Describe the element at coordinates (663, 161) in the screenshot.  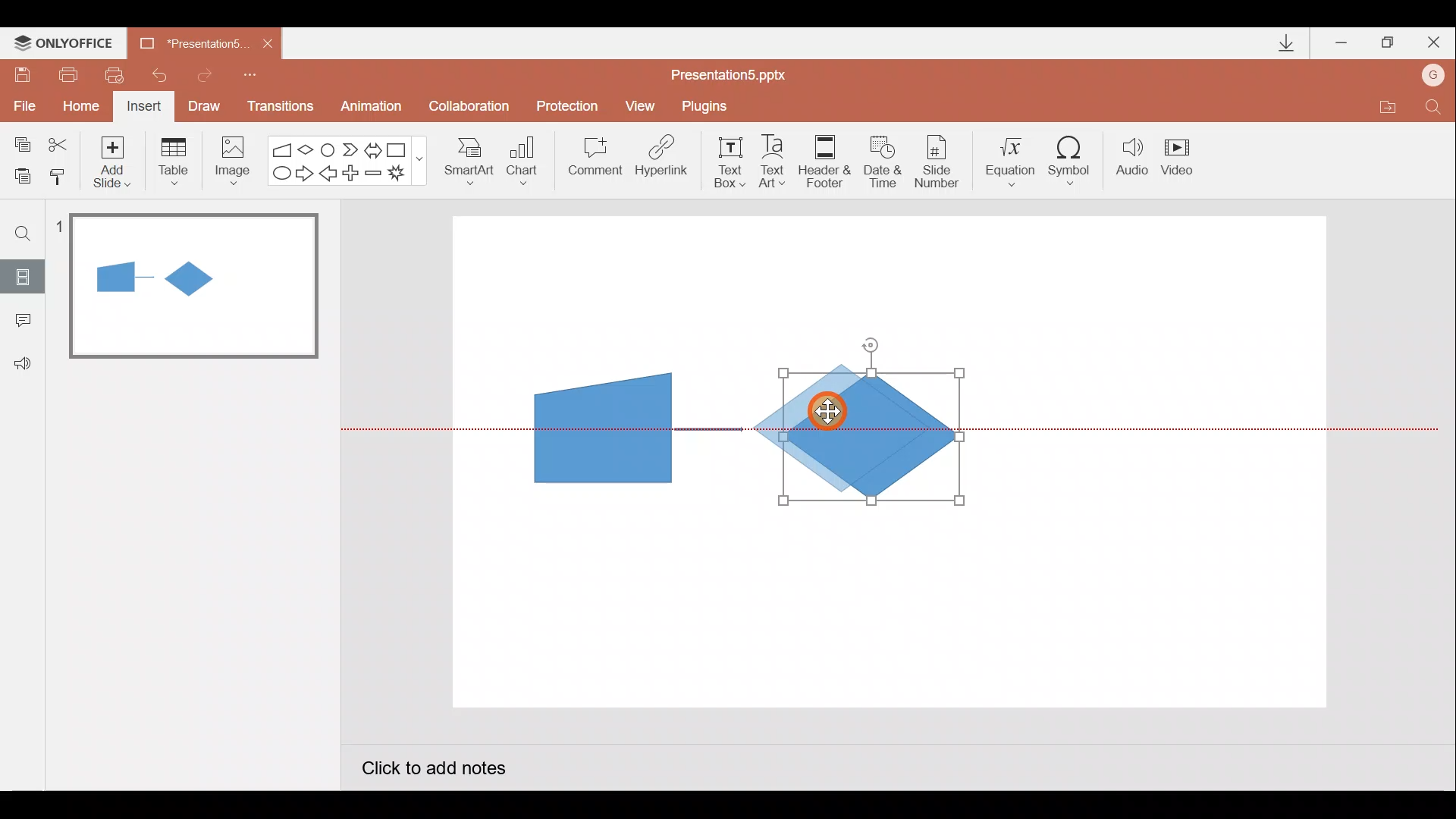
I see `Hyperlink` at that location.